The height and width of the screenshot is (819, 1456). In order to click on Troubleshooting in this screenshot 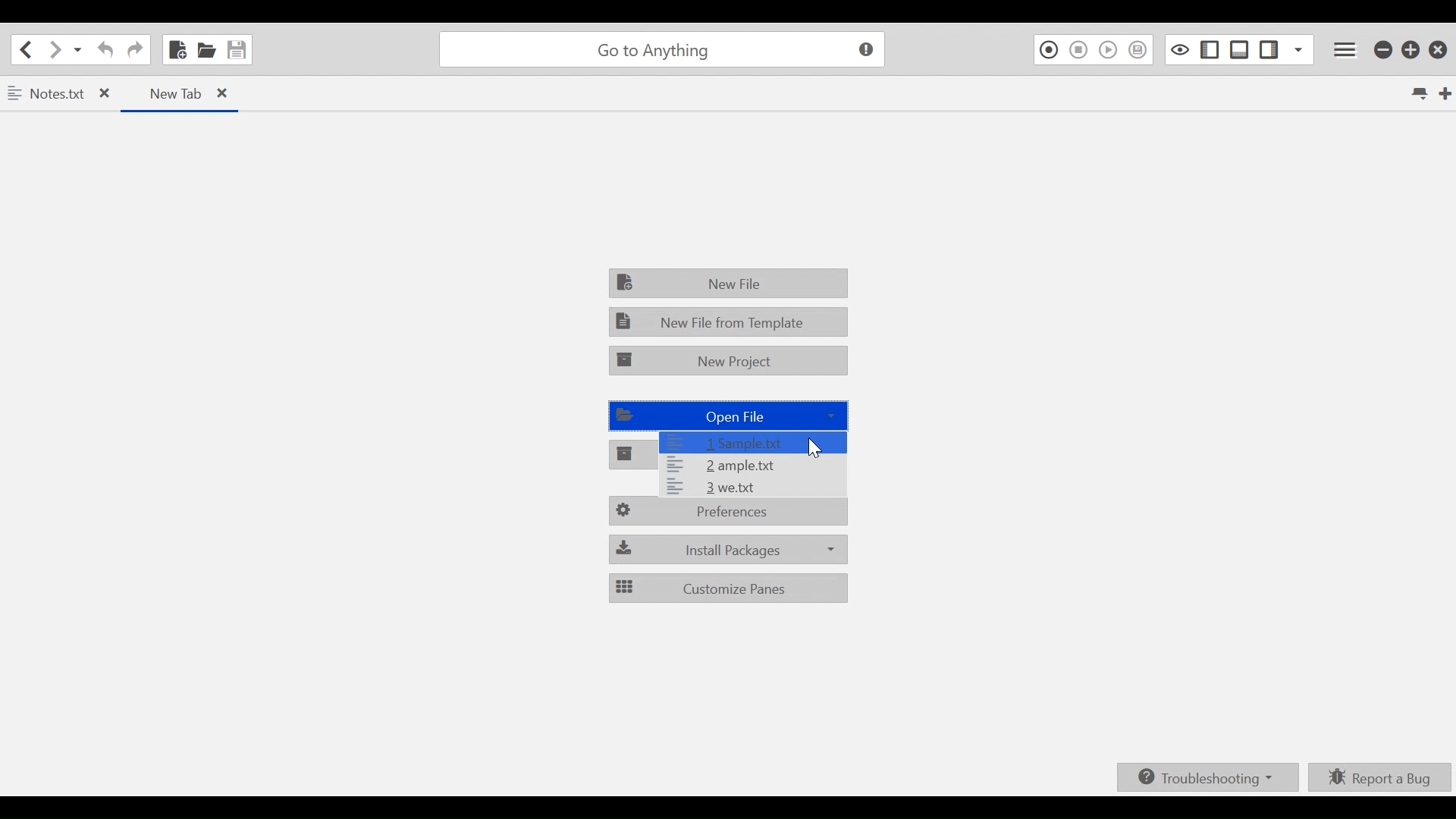, I will do `click(1207, 777)`.